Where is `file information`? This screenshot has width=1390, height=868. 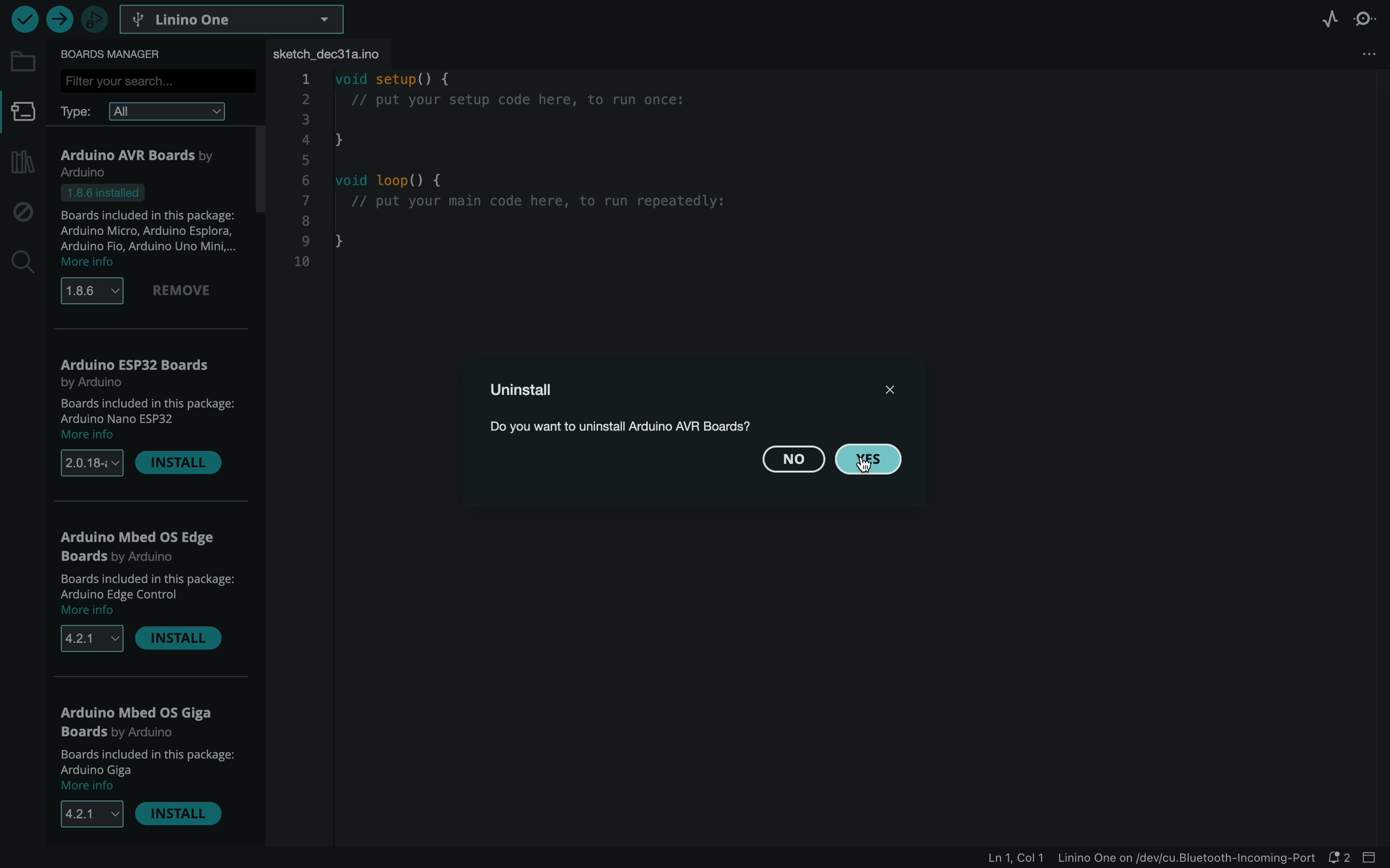 file information is located at coordinates (1142, 859).